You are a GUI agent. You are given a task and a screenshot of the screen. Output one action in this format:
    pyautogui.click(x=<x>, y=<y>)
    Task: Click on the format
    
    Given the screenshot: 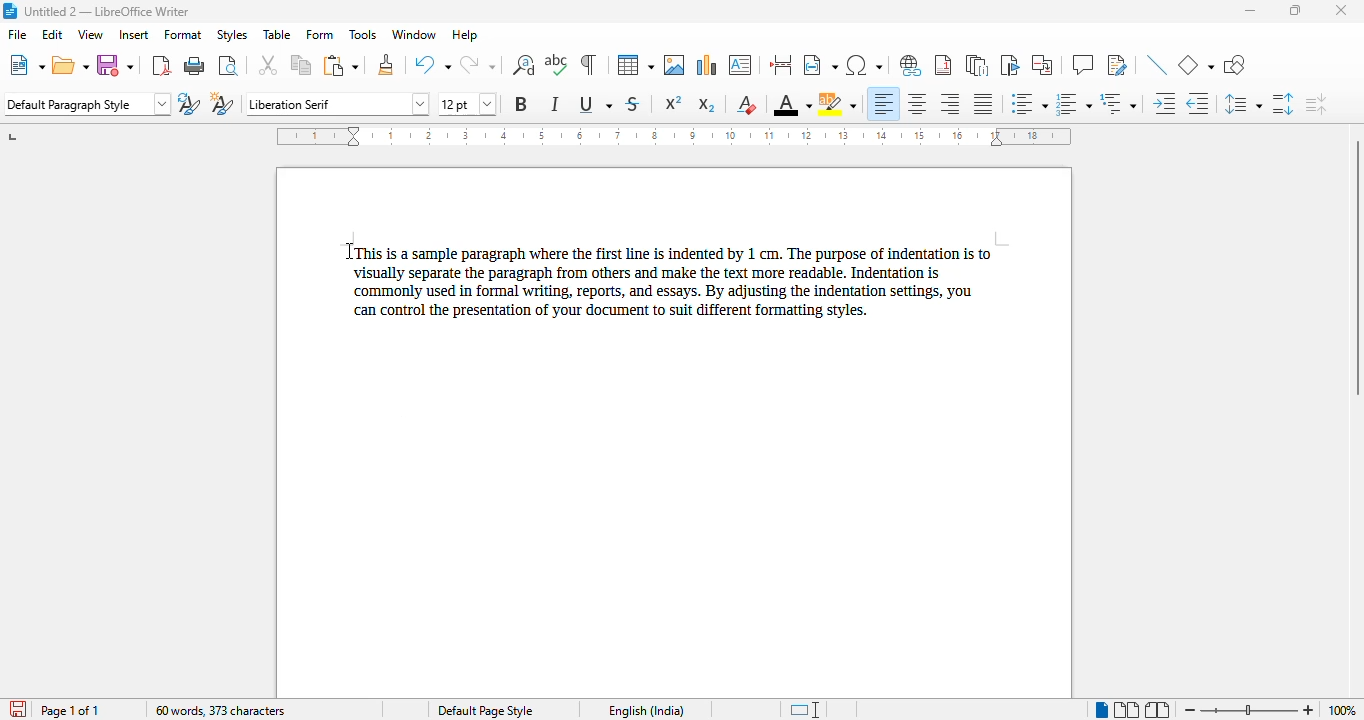 What is the action you would take?
    pyautogui.click(x=183, y=35)
    